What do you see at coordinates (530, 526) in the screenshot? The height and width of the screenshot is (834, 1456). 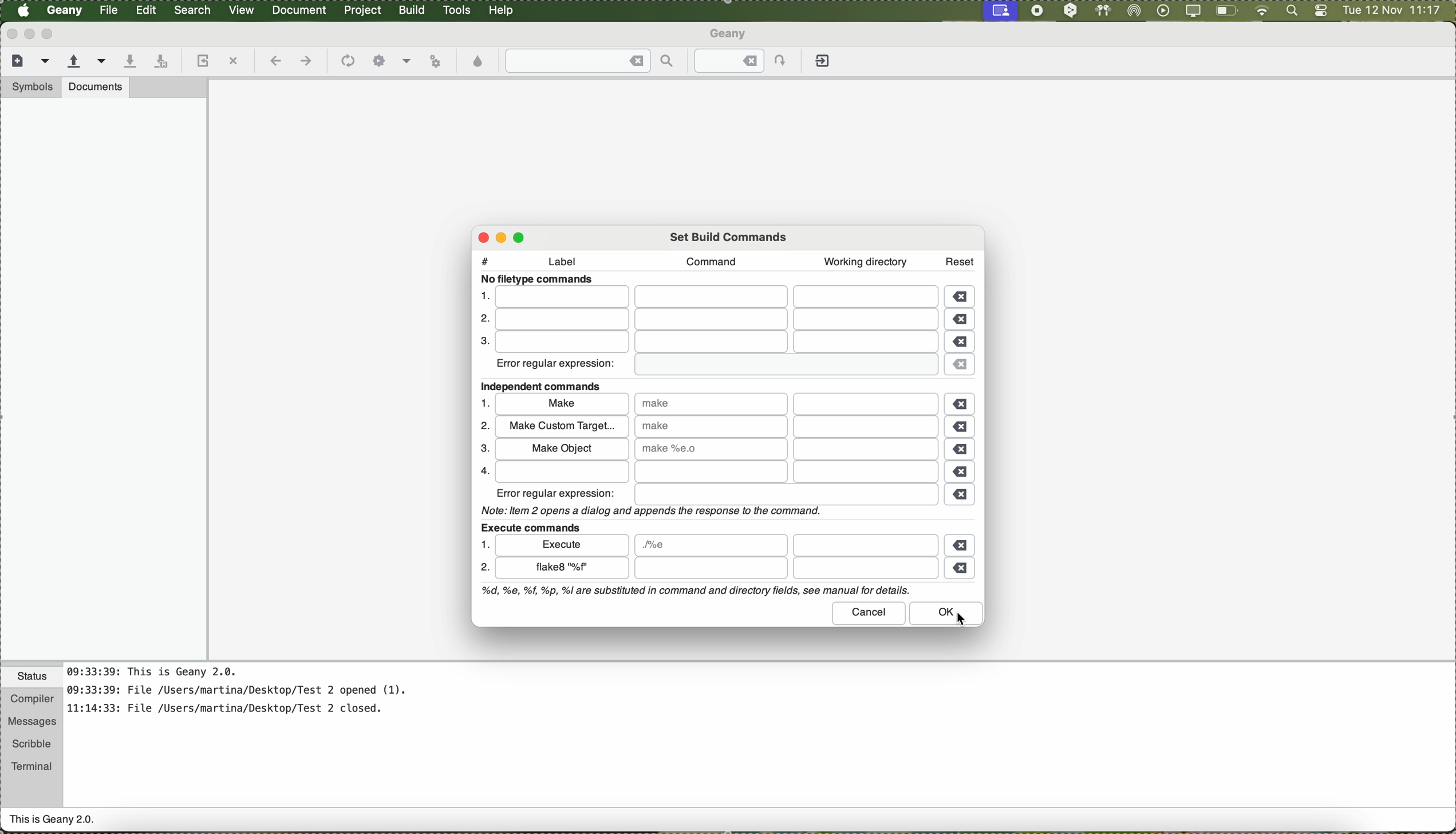 I see `execute commands` at bounding box center [530, 526].